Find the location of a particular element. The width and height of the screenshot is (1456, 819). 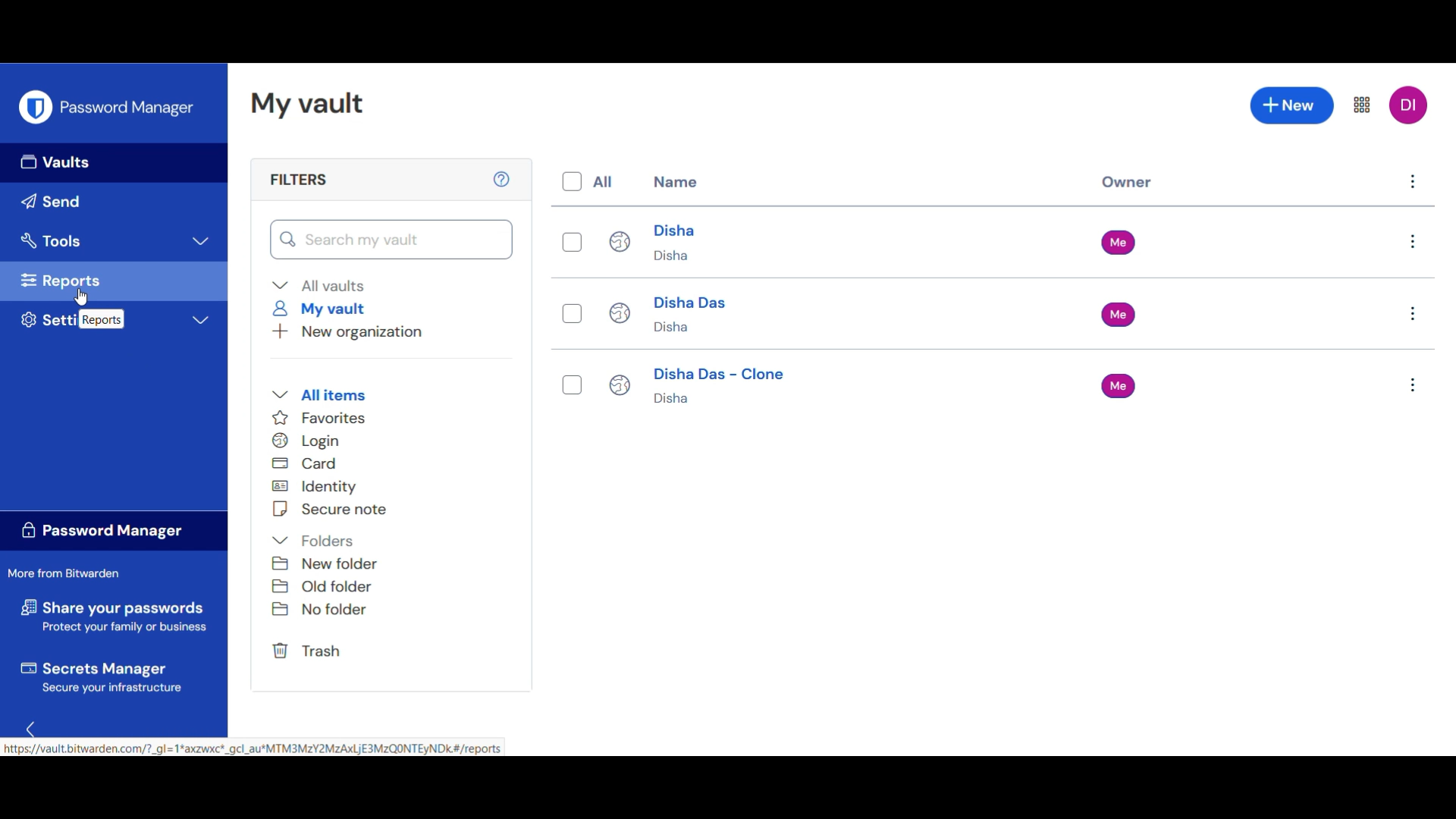

My vault, current selection highlighted is located at coordinates (321, 309).